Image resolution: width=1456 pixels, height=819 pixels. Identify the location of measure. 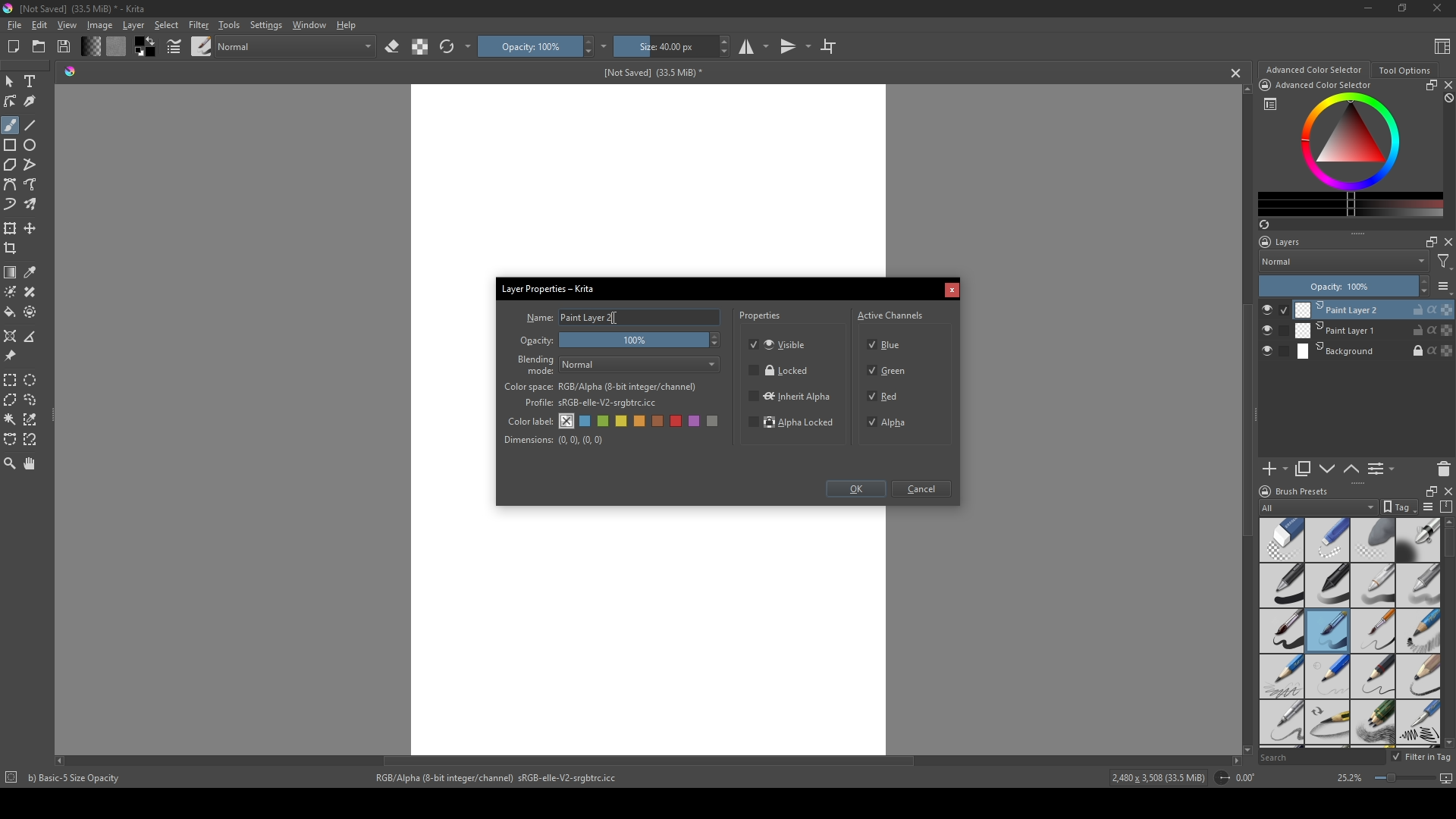
(33, 337).